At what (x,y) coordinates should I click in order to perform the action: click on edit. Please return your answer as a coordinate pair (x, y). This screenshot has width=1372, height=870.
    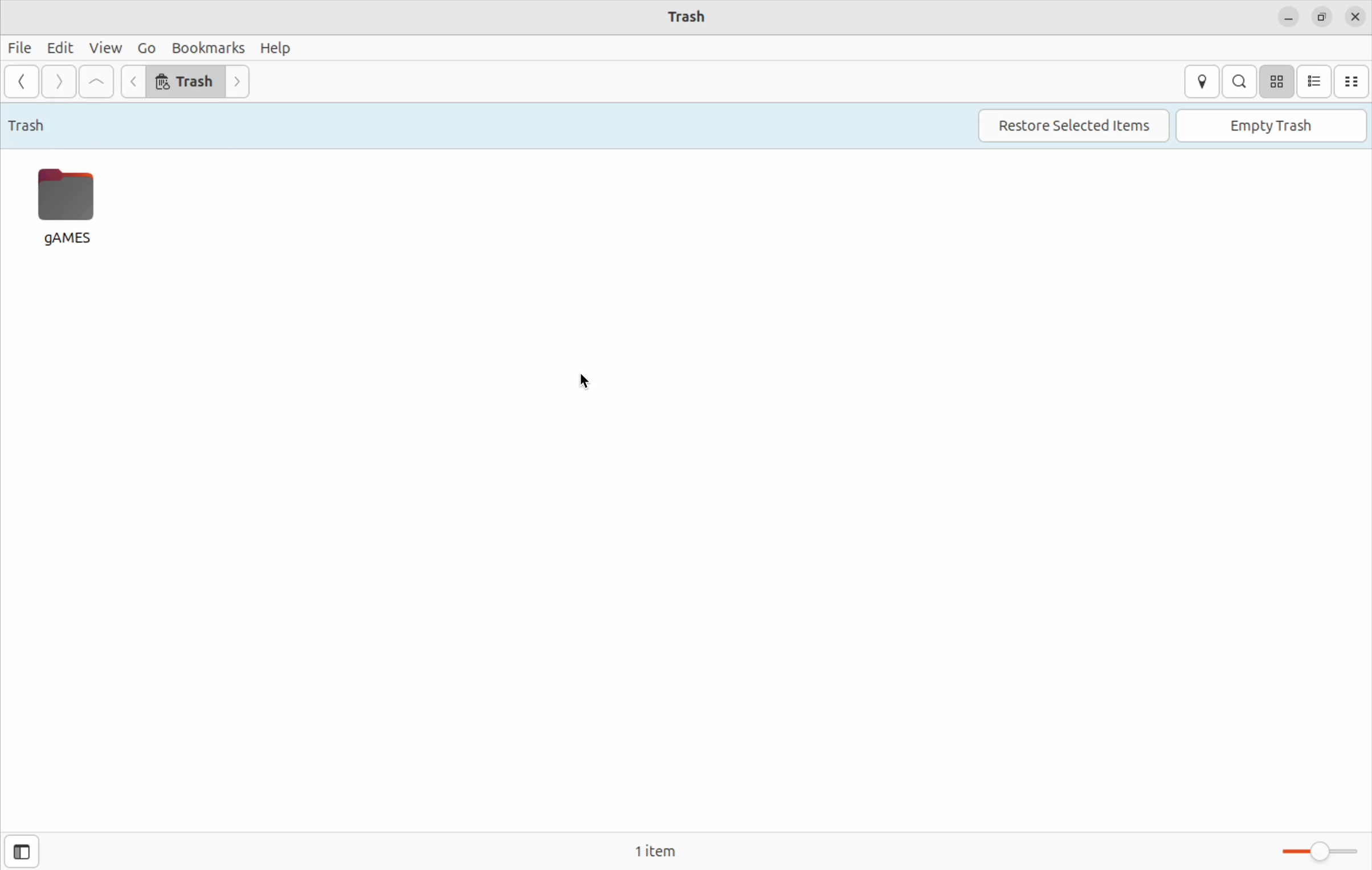
    Looking at the image, I should click on (59, 47).